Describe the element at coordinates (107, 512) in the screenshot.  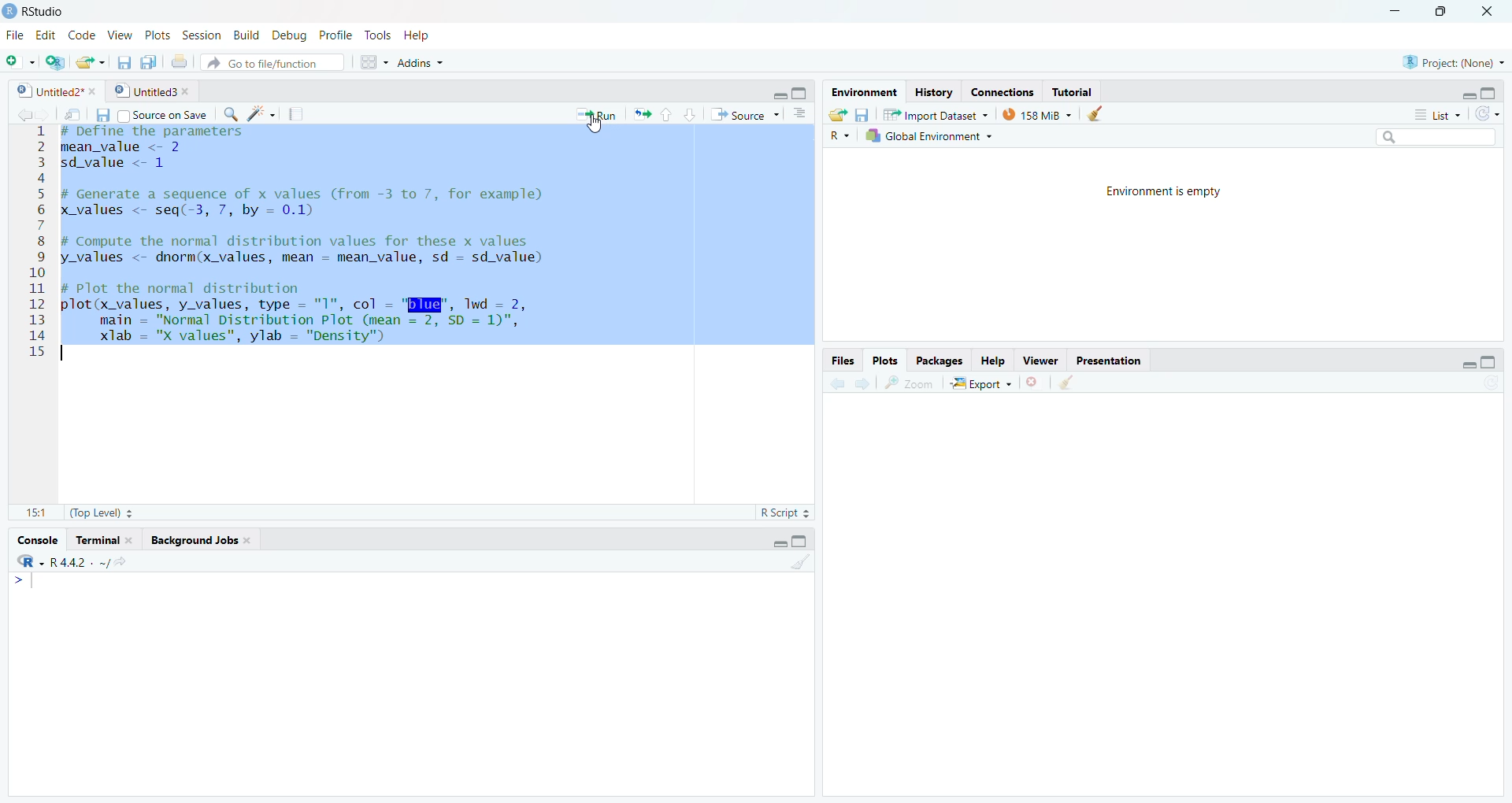
I see `(Top Level) ` at that location.